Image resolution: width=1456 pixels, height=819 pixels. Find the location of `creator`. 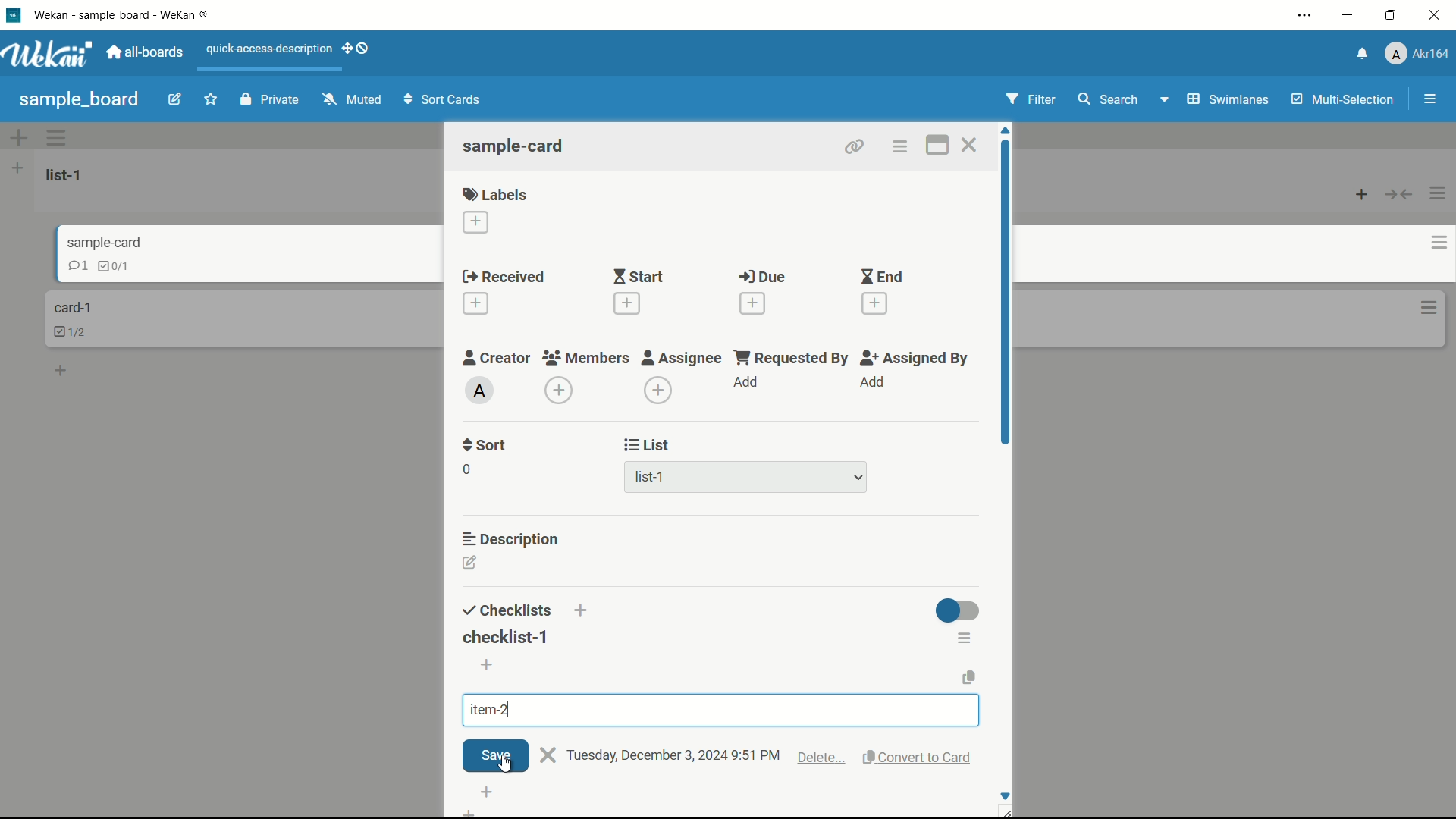

creator is located at coordinates (497, 358).